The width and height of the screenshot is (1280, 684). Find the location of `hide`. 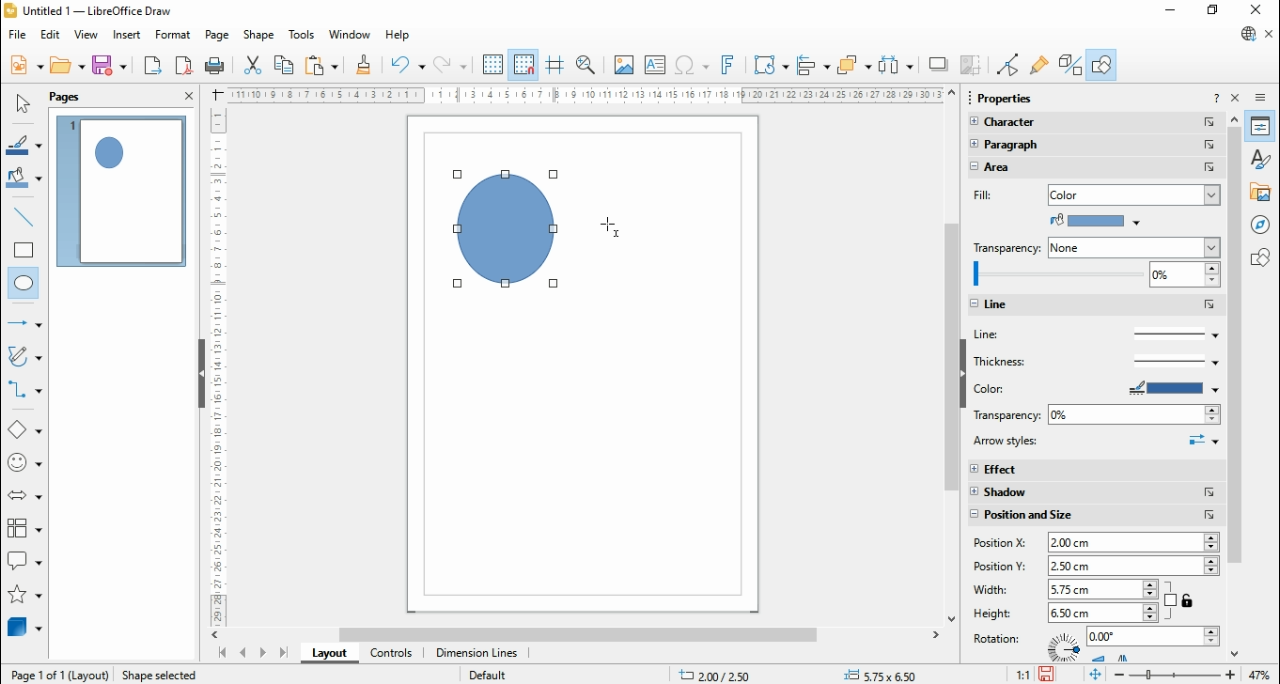

hide is located at coordinates (962, 374).